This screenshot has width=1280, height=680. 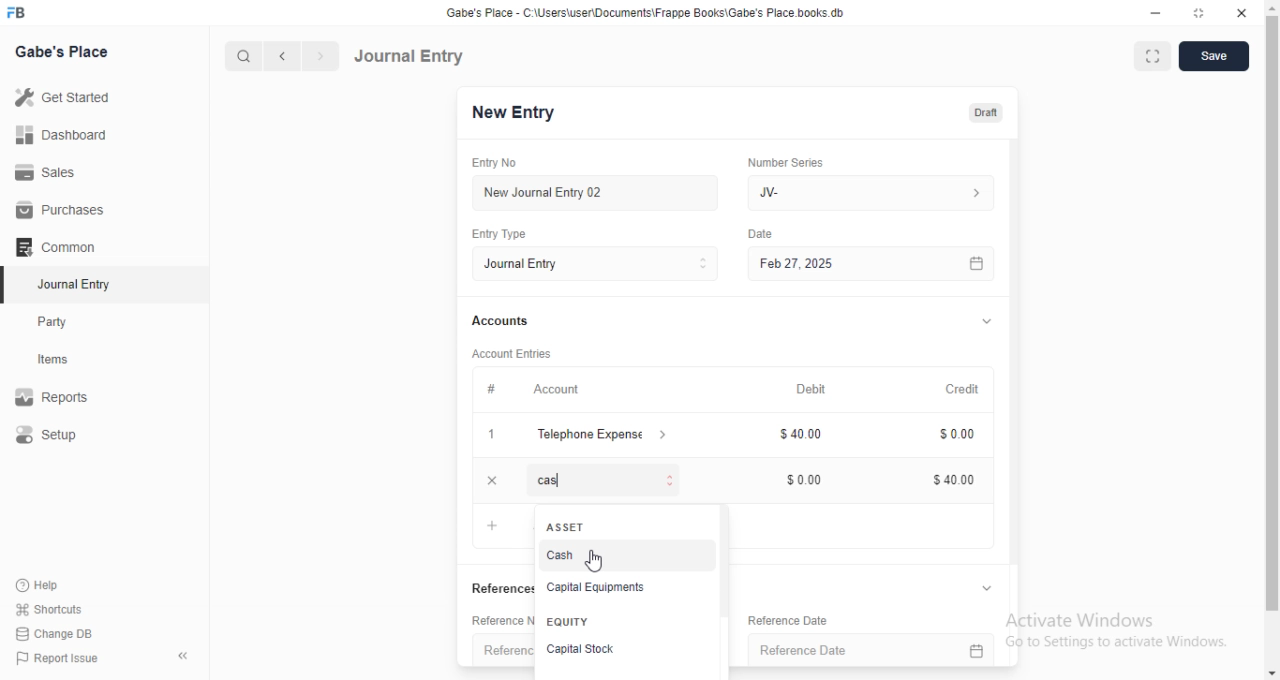 I want to click on Feb 27, 2025, so click(x=883, y=264).